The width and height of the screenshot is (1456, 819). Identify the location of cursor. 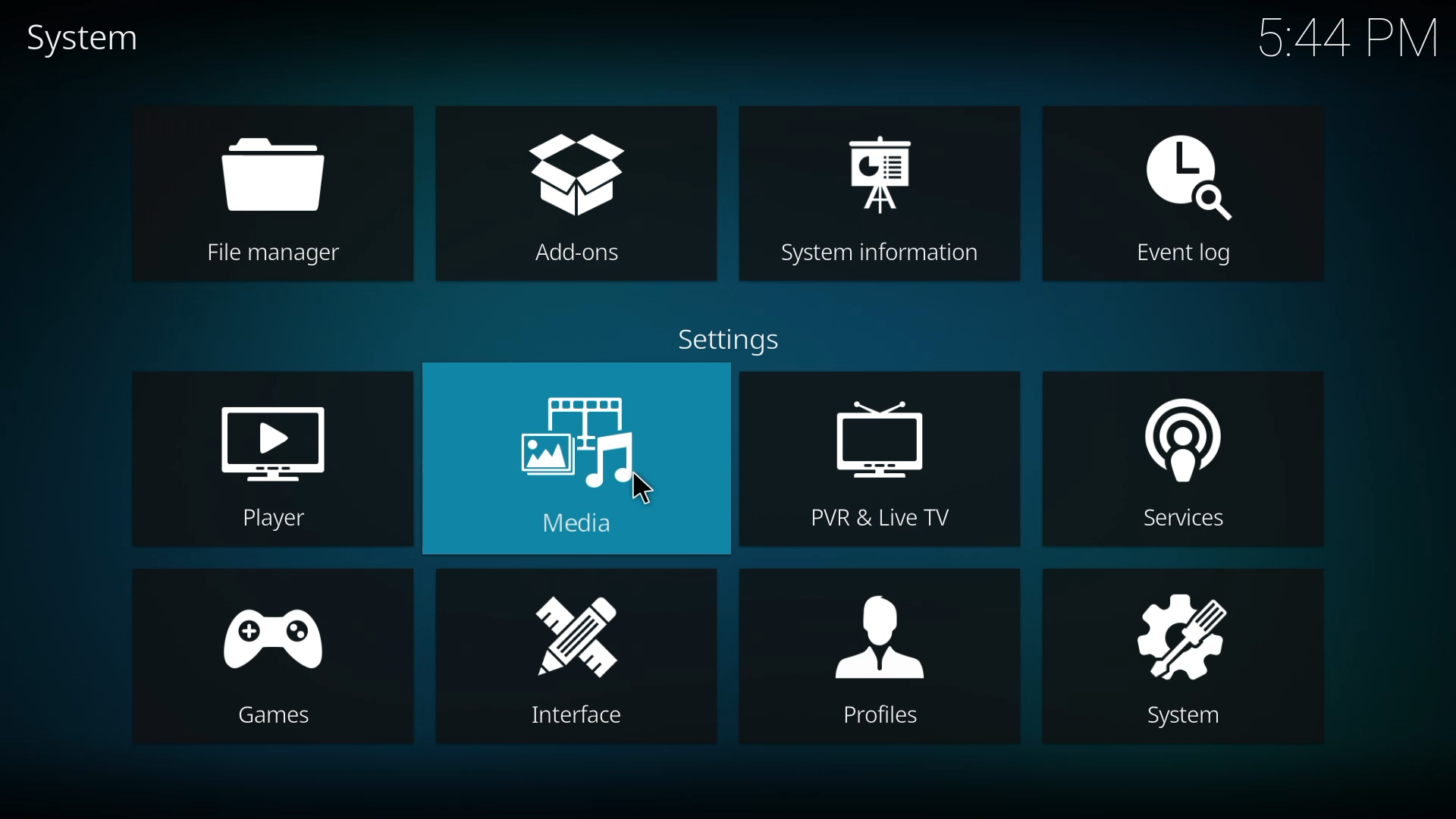
(646, 490).